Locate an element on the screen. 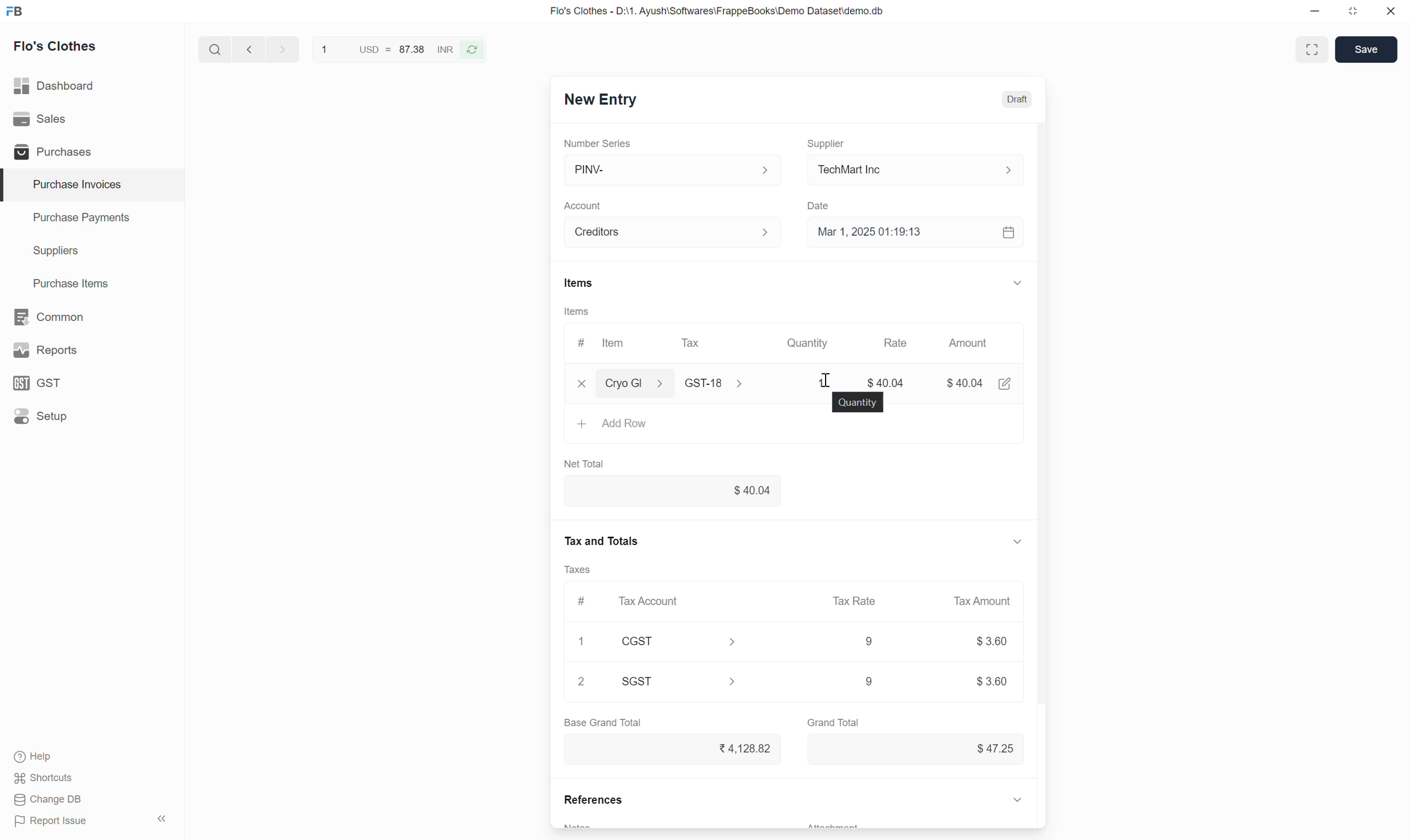  New Entry is located at coordinates (599, 101).